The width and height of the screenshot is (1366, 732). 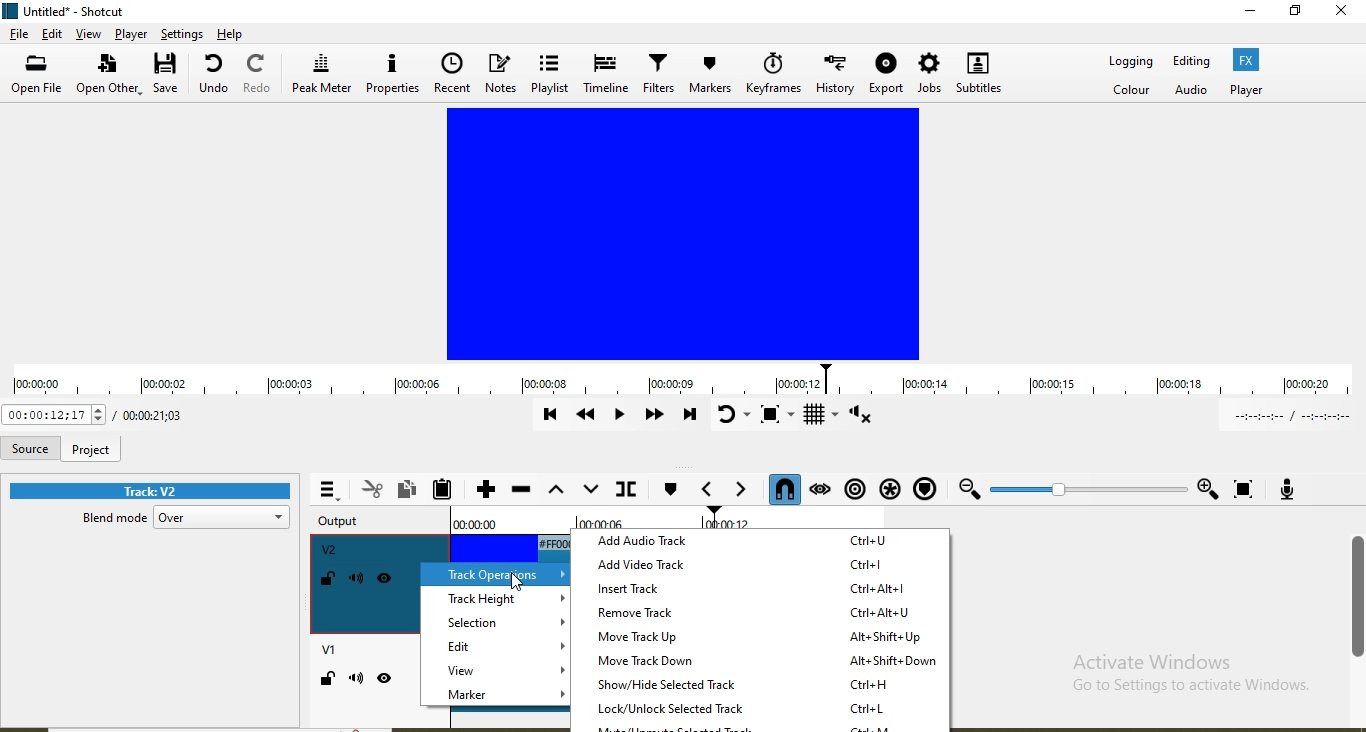 What do you see at coordinates (1237, 15) in the screenshot?
I see `minimise` at bounding box center [1237, 15].